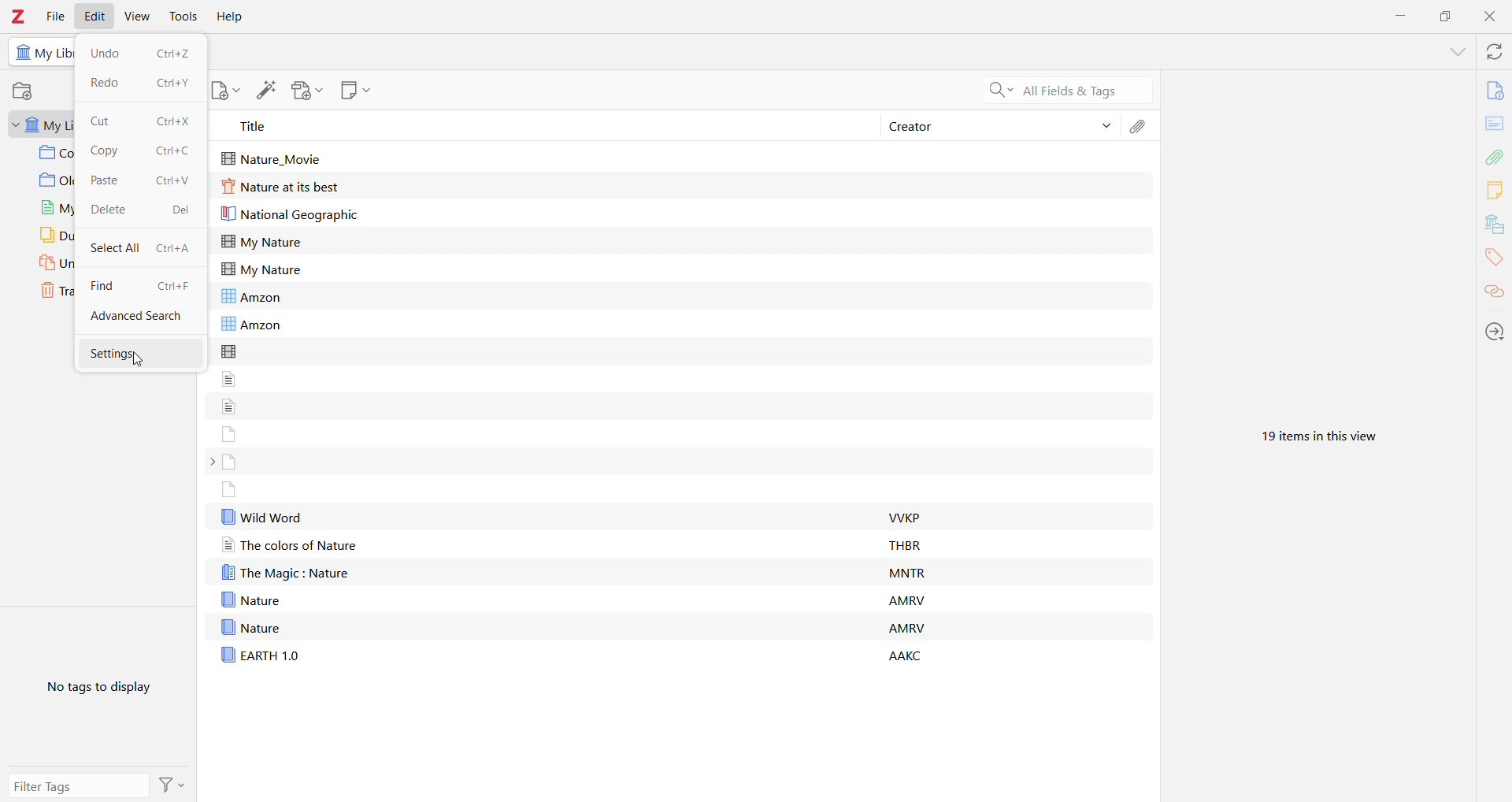 Image resolution: width=1512 pixels, height=802 pixels. Describe the element at coordinates (980, 127) in the screenshot. I see `Creator` at that location.